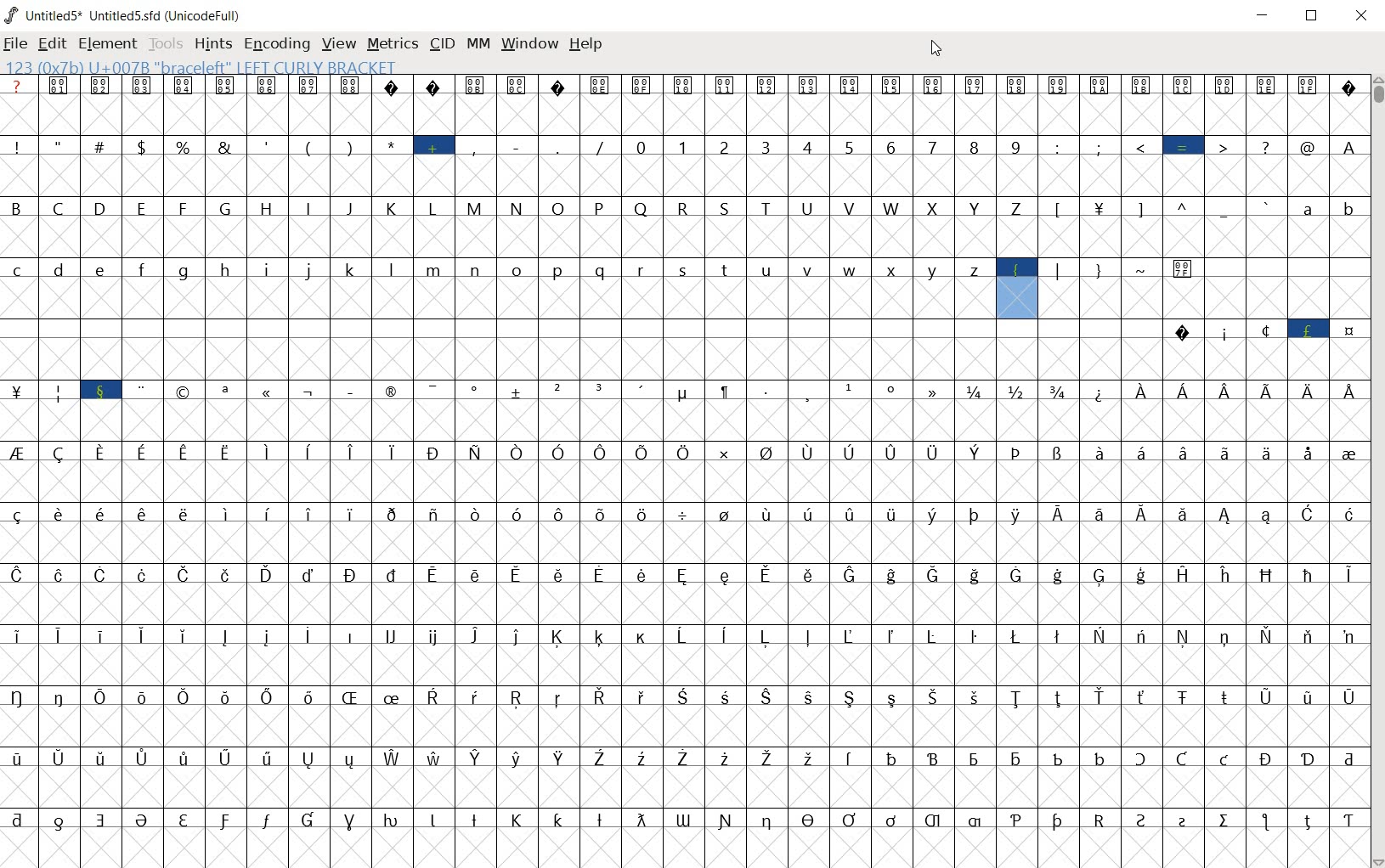 The width and height of the screenshot is (1385, 868). What do you see at coordinates (681, 459) in the screenshot?
I see `glyph characters` at bounding box center [681, 459].